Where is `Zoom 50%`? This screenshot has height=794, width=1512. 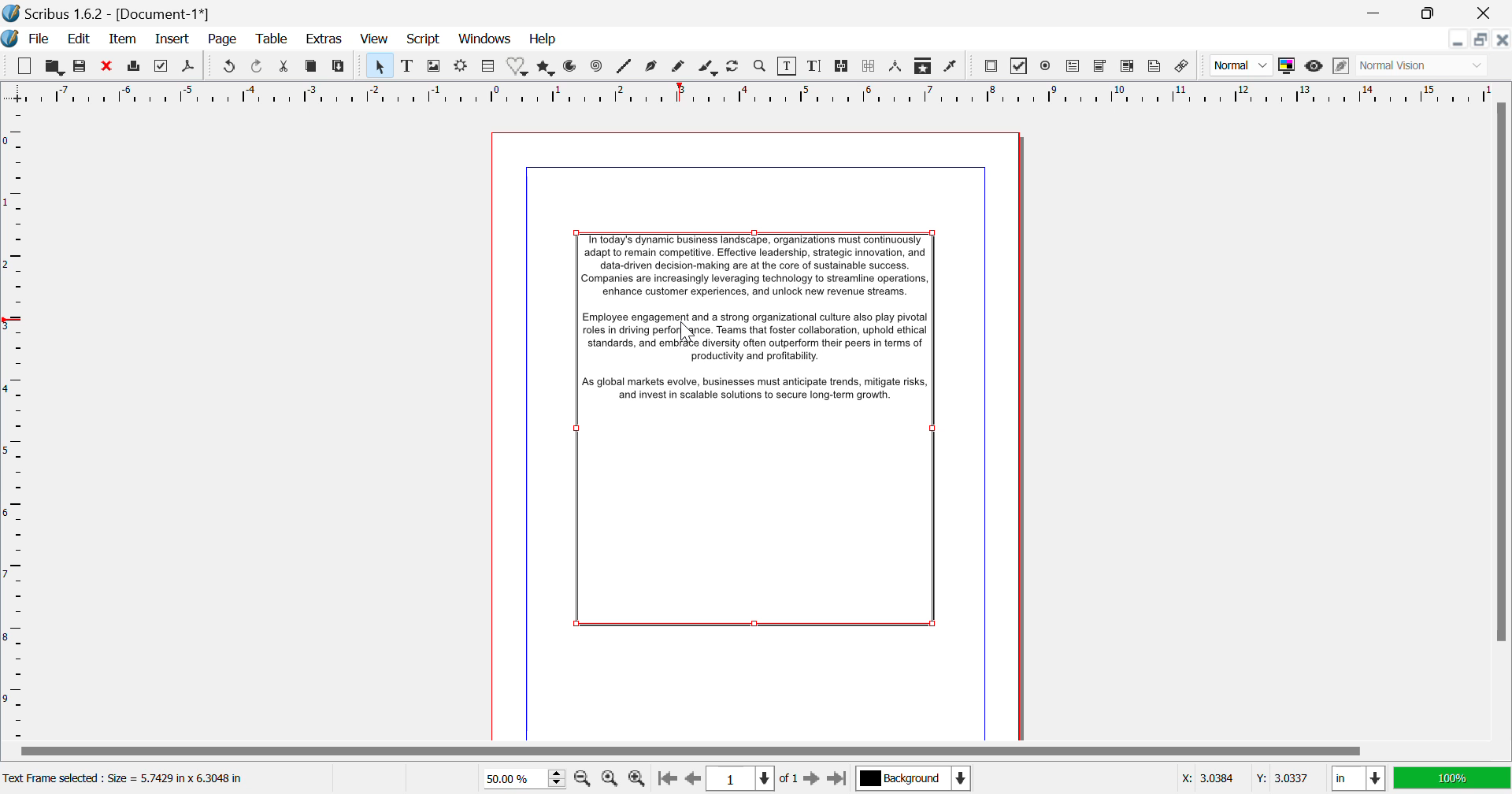
Zoom 50% is located at coordinates (523, 777).